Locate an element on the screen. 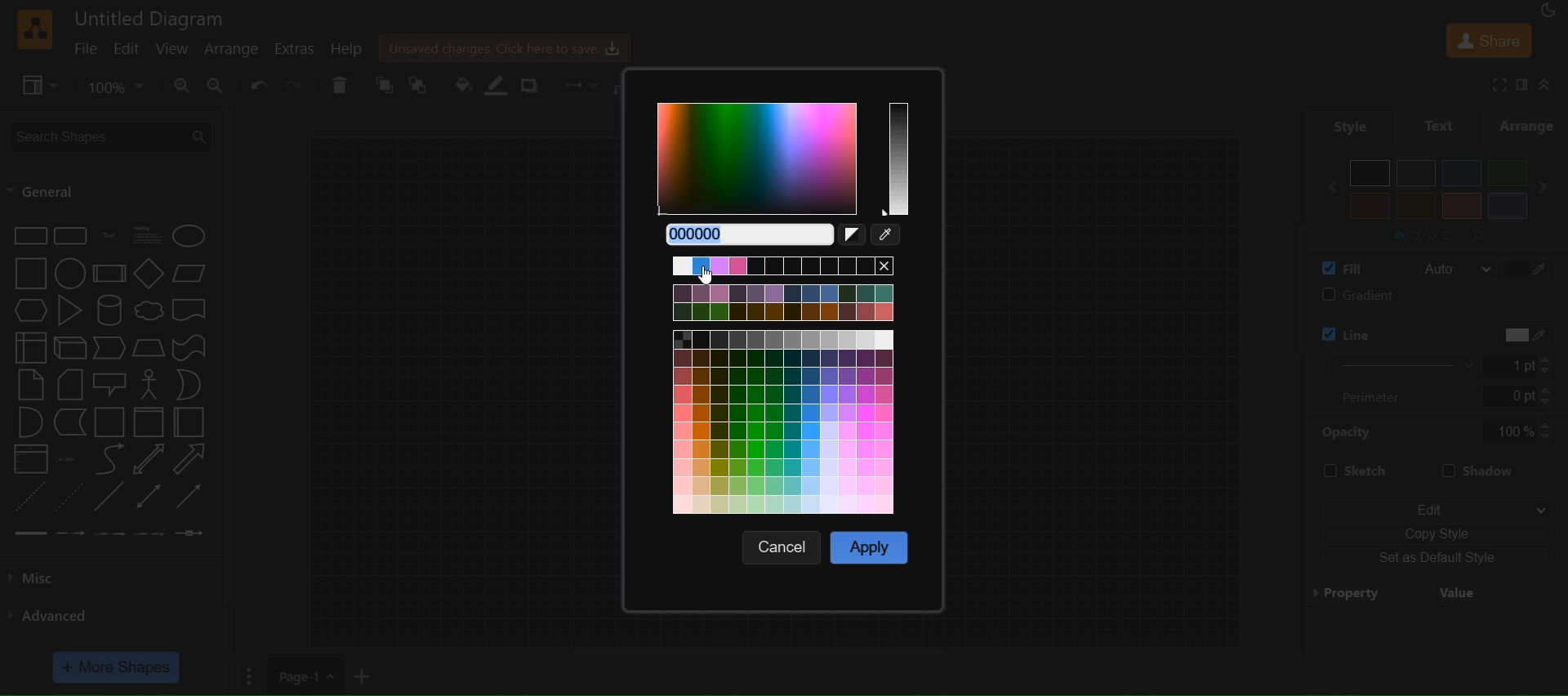  zoom is located at coordinates (118, 85).